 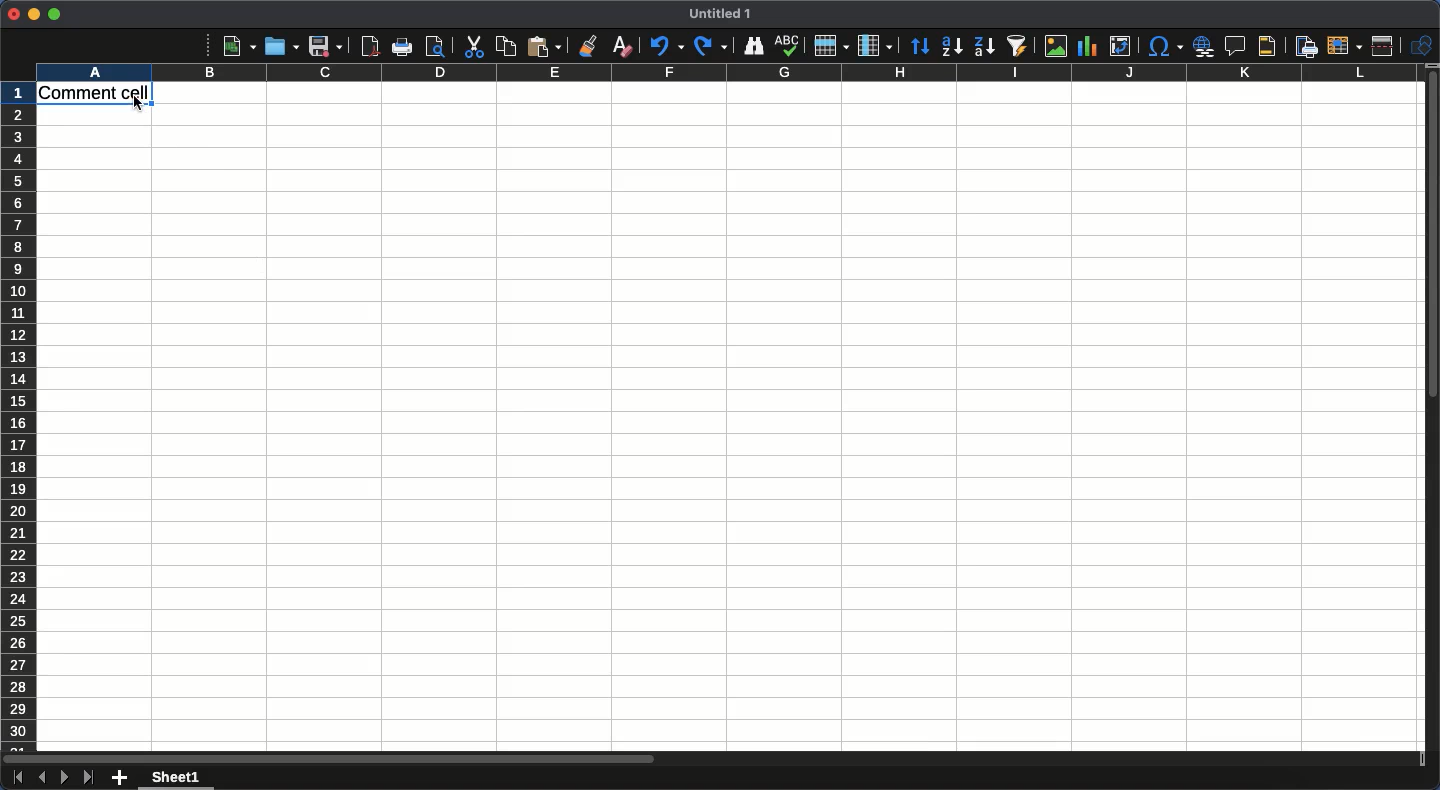 I want to click on New, so click(x=236, y=46).